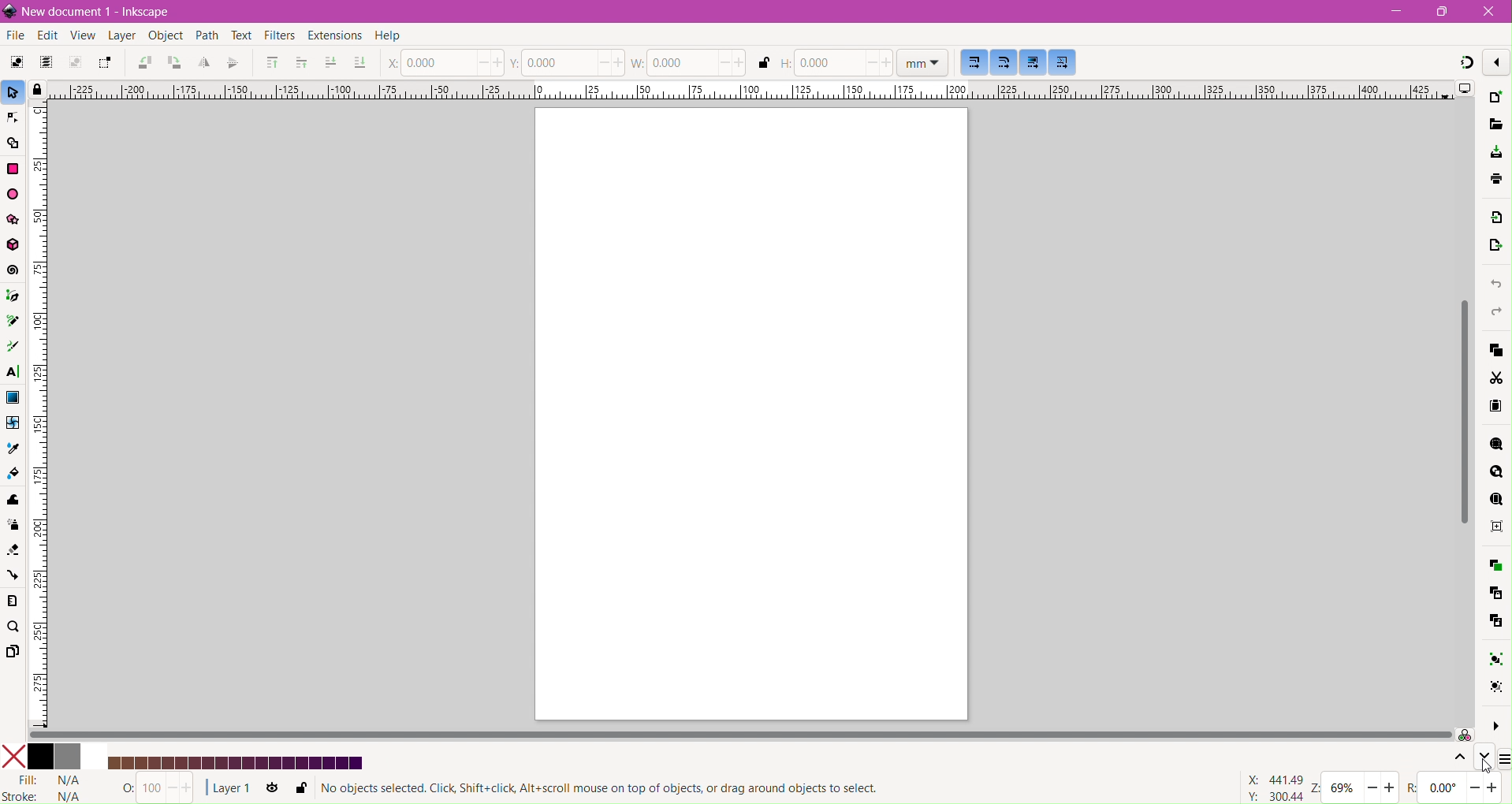  I want to click on Toggle selection box to touch all selected objects, so click(105, 63).